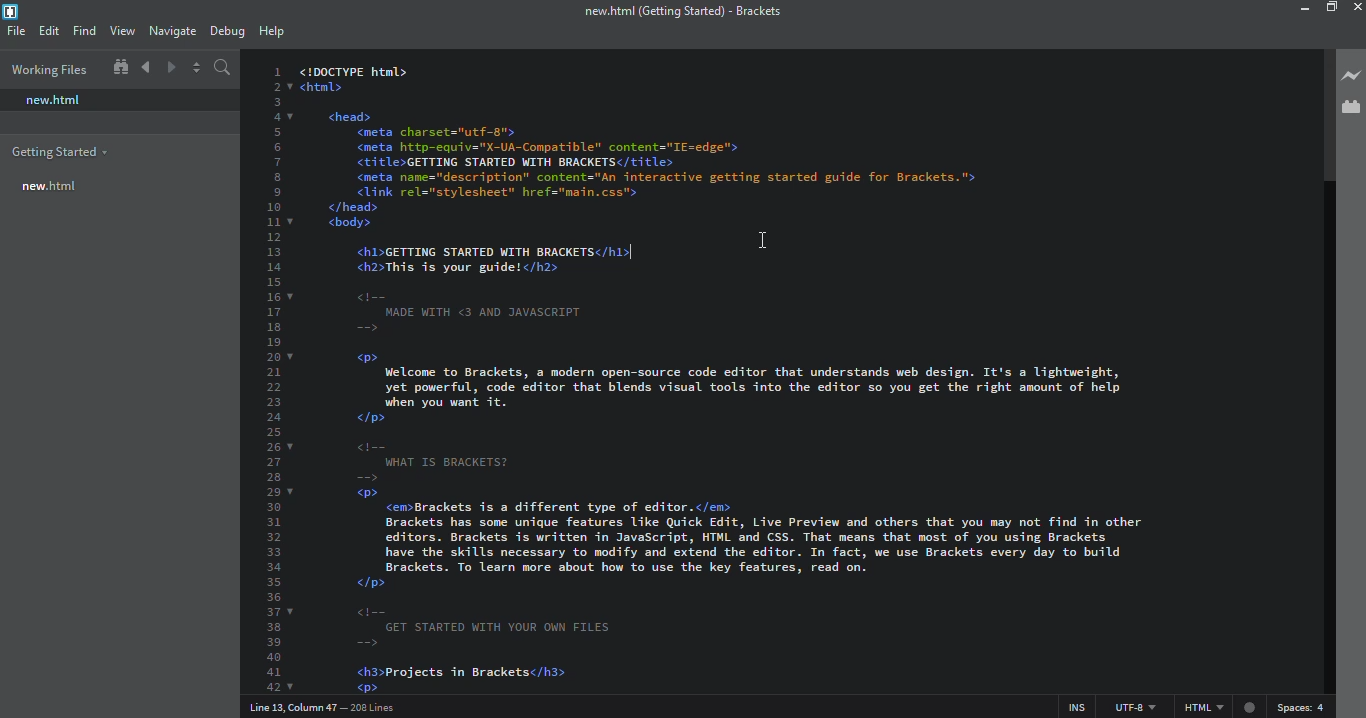 Image resolution: width=1366 pixels, height=718 pixels. Describe the element at coordinates (1302, 707) in the screenshot. I see `spaces` at that location.